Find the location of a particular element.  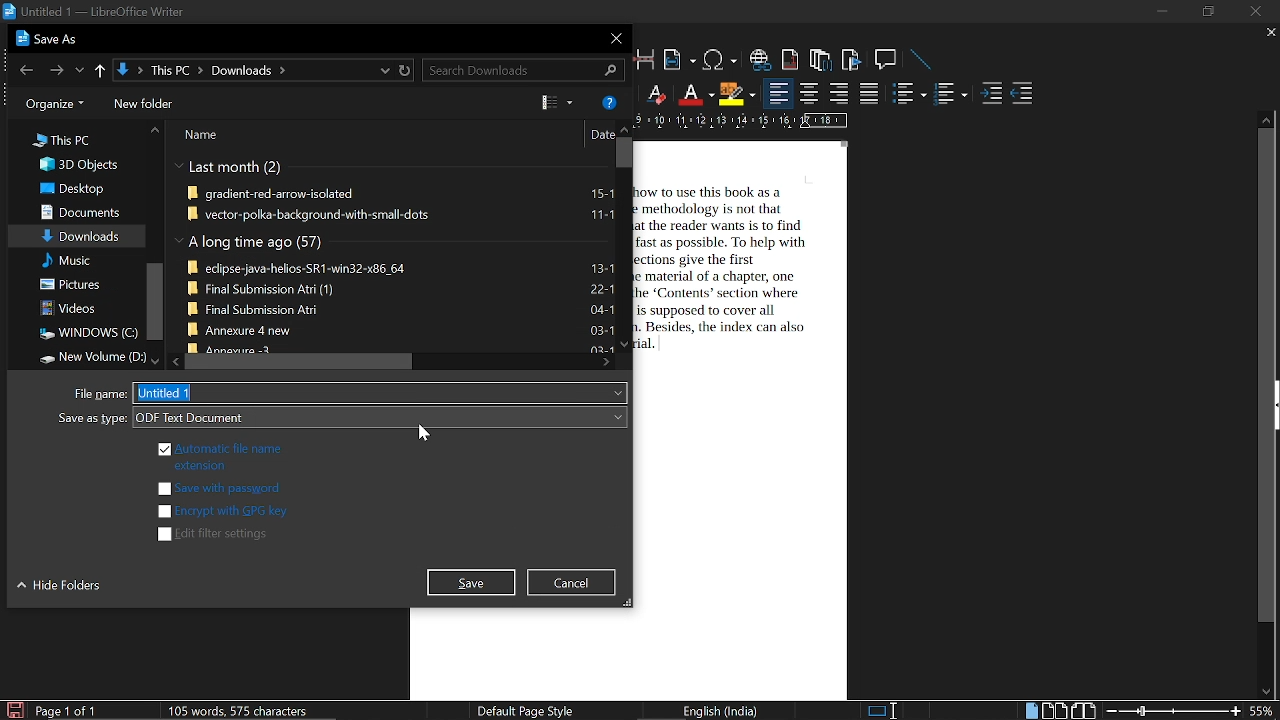

current zoom is located at coordinates (1264, 710).